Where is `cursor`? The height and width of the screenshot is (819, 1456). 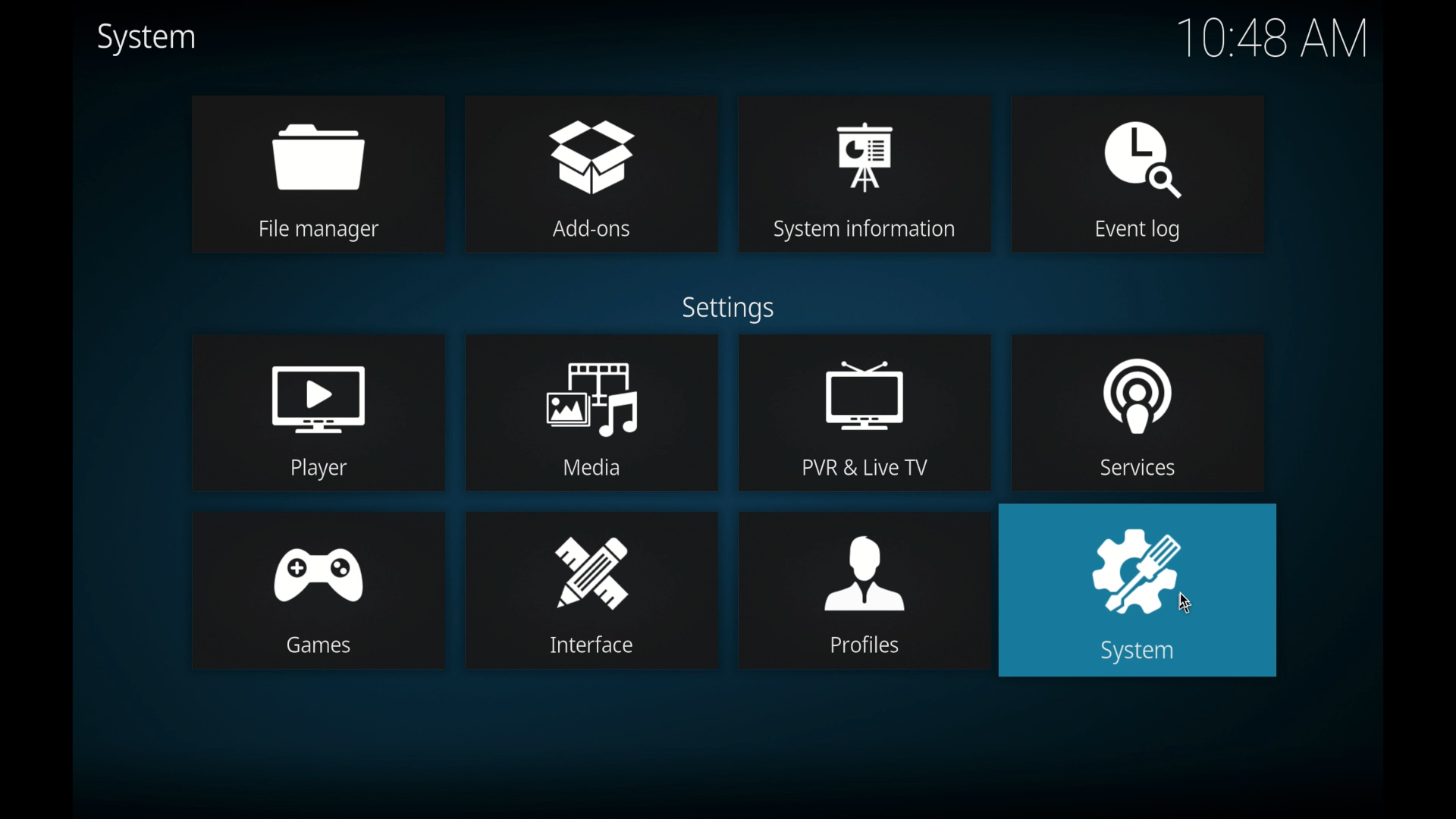 cursor is located at coordinates (1186, 604).